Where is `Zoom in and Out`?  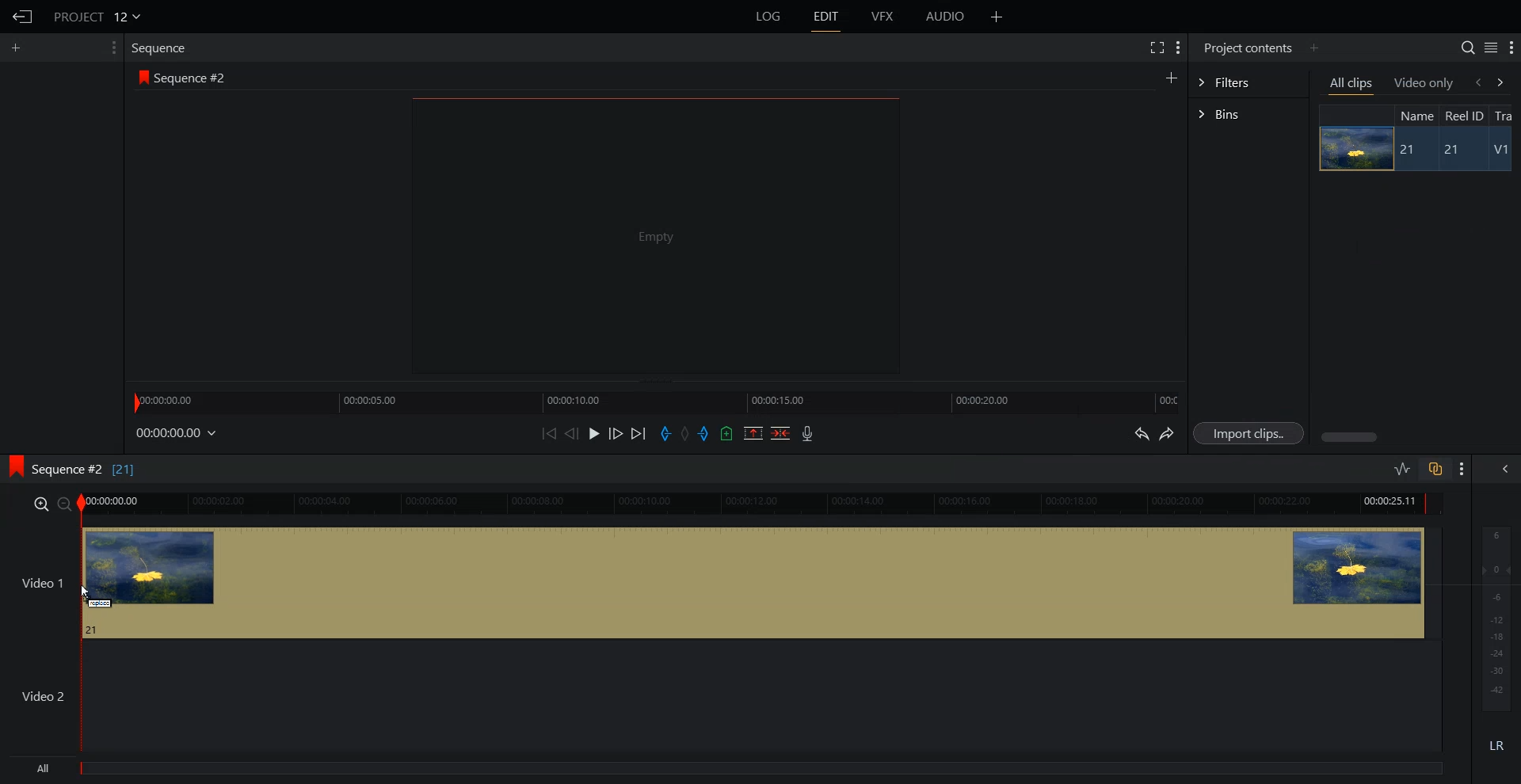 Zoom in and Out is located at coordinates (51, 504).